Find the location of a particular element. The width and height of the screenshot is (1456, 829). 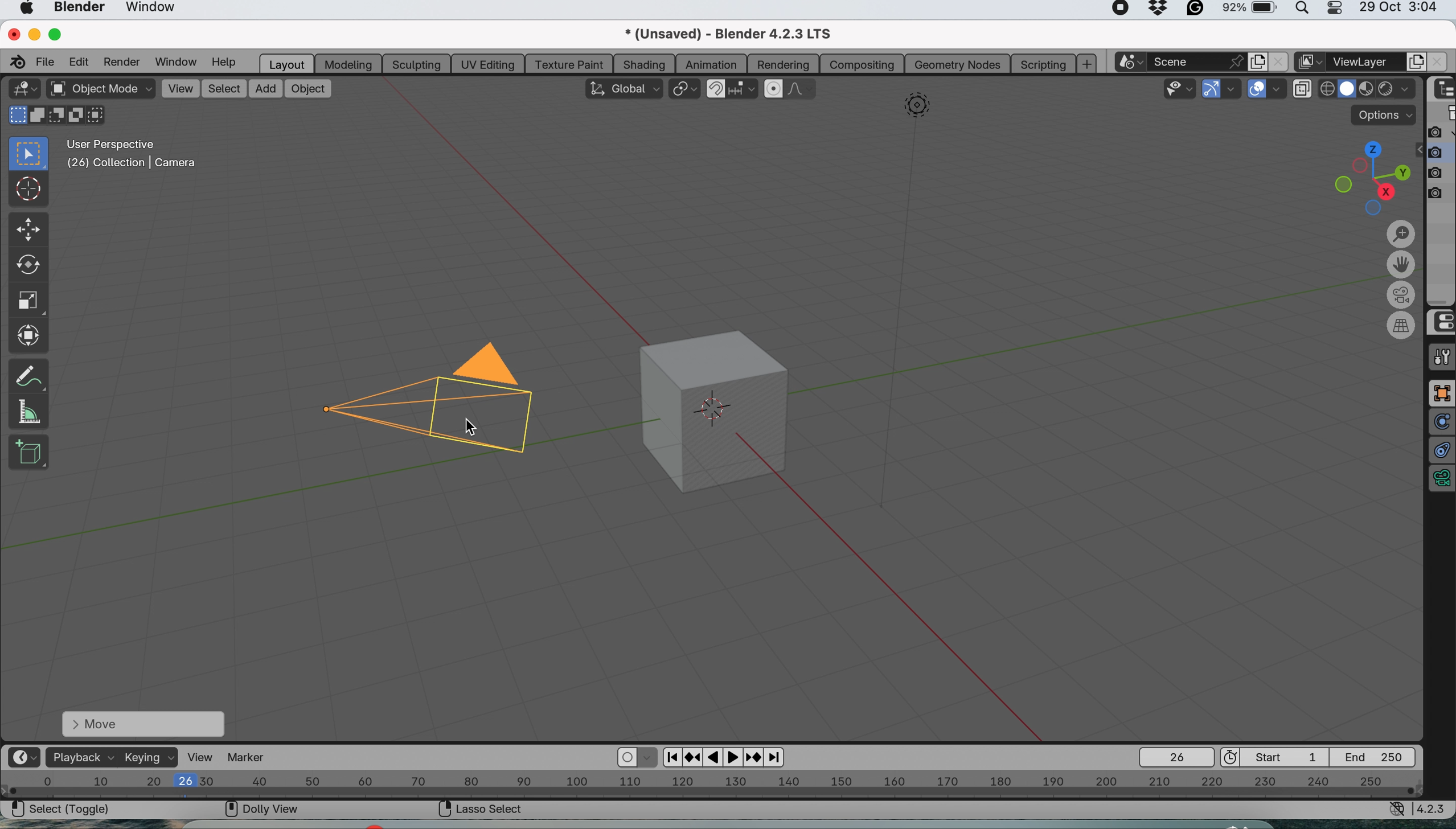

gizmos is located at coordinates (1233, 90).